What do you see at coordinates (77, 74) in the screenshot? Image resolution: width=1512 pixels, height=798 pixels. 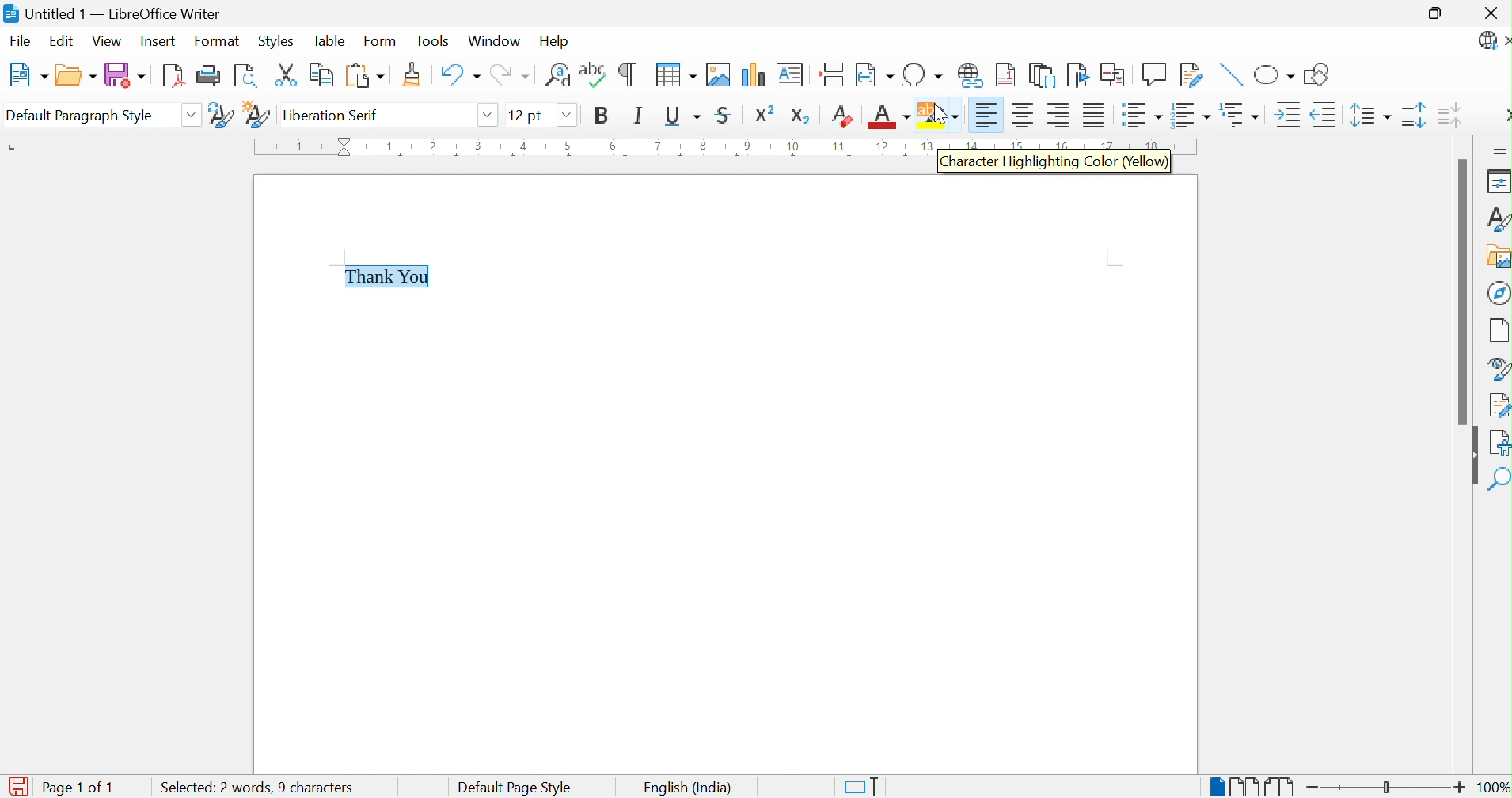 I see `Open` at bounding box center [77, 74].